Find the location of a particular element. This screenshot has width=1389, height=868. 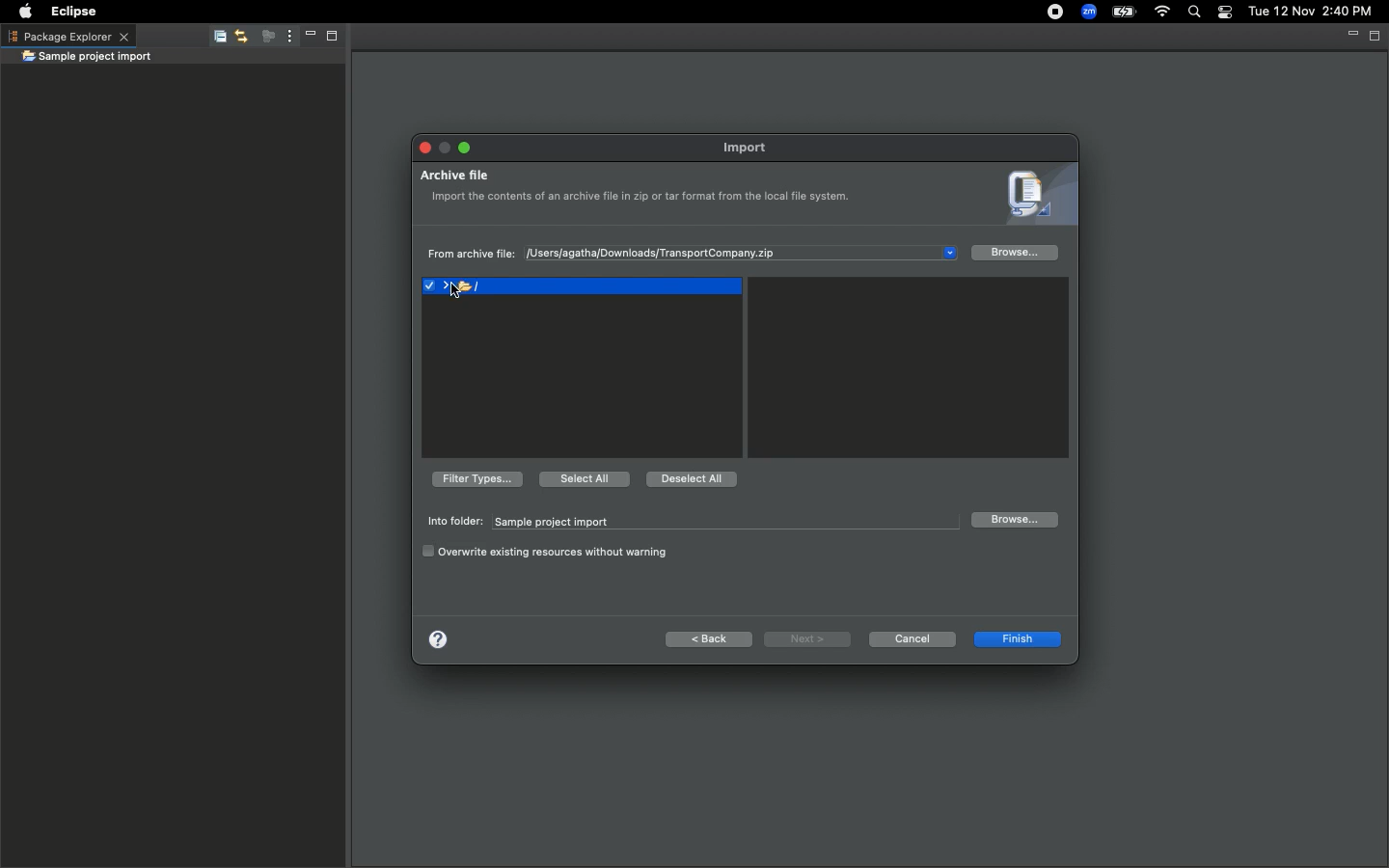

Minimize is located at coordinates (305, 38).